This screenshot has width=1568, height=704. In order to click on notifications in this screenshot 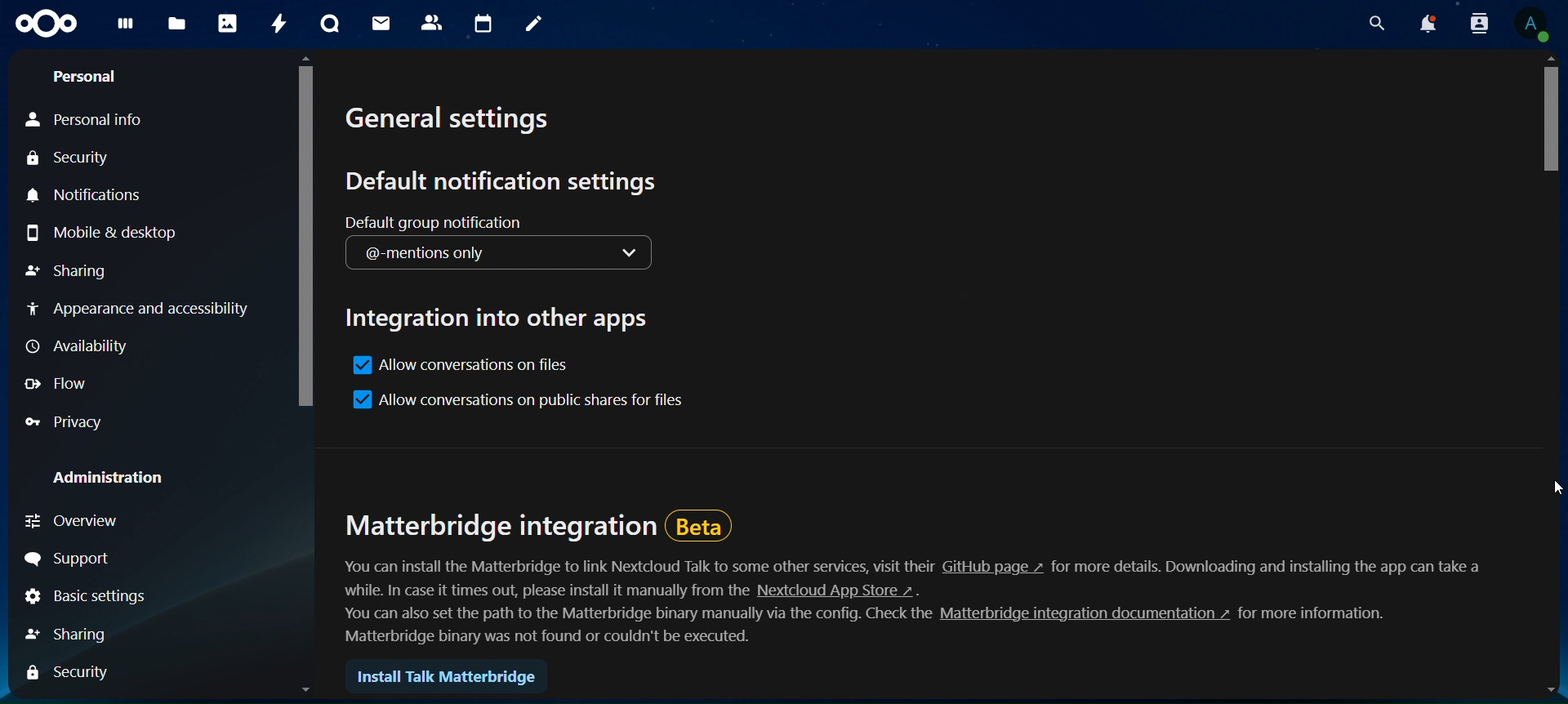, I will do `click(1423, 25)`.